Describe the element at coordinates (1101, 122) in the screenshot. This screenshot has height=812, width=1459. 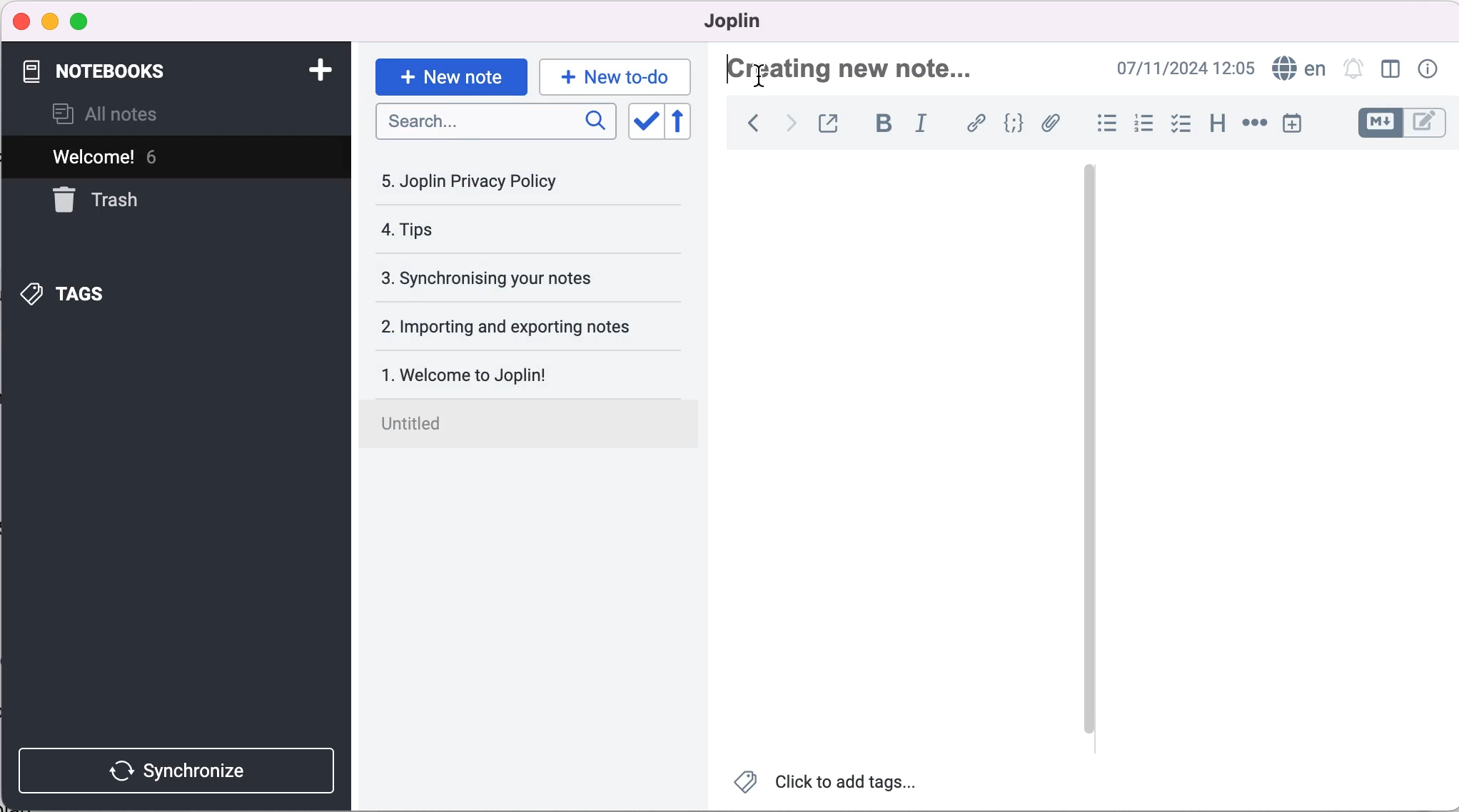
I see `bulleted list` at that location.